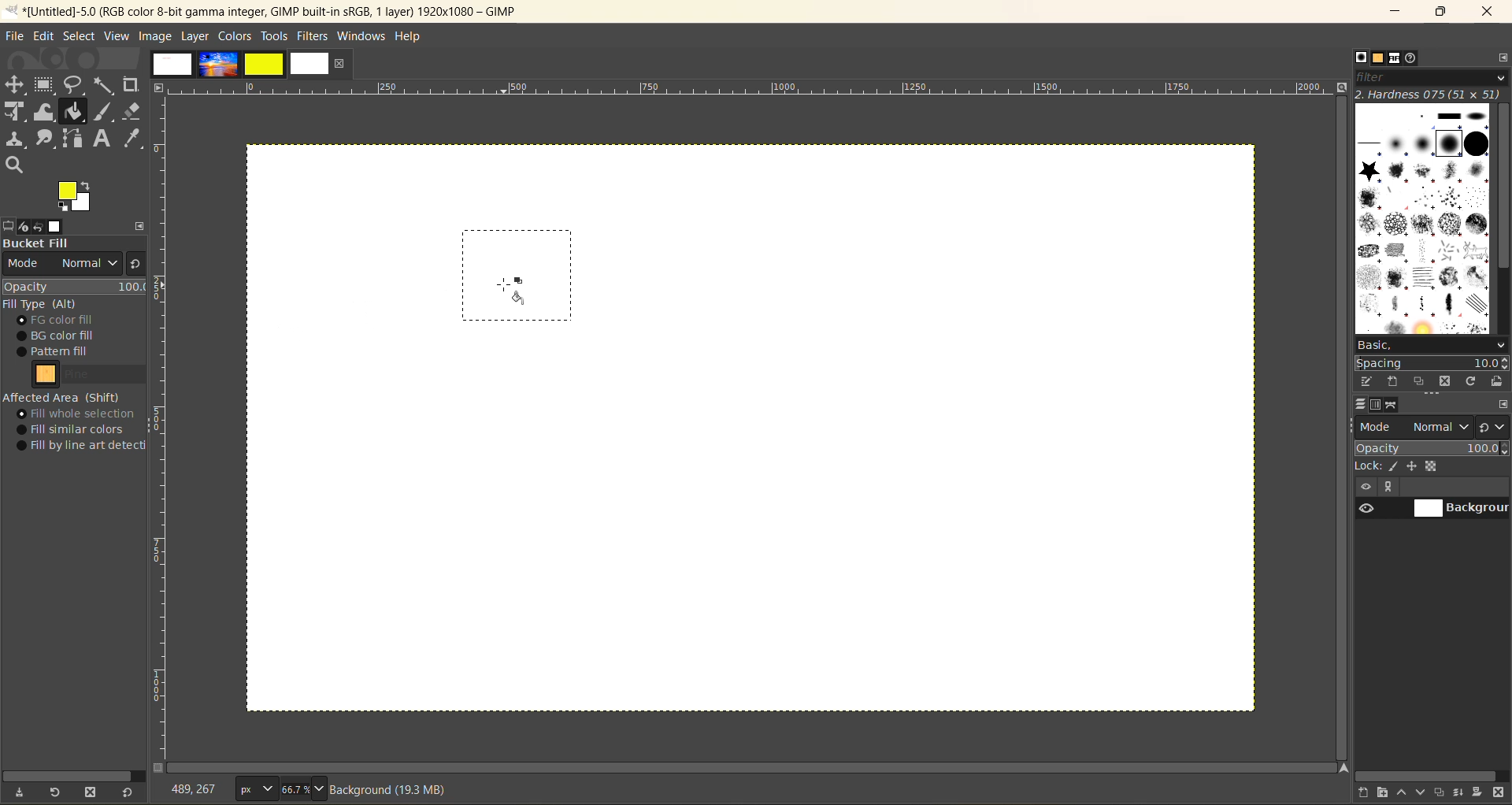 This screenshot has height=805, width=1512. I want to click on scroll bar, so click(755, 768).